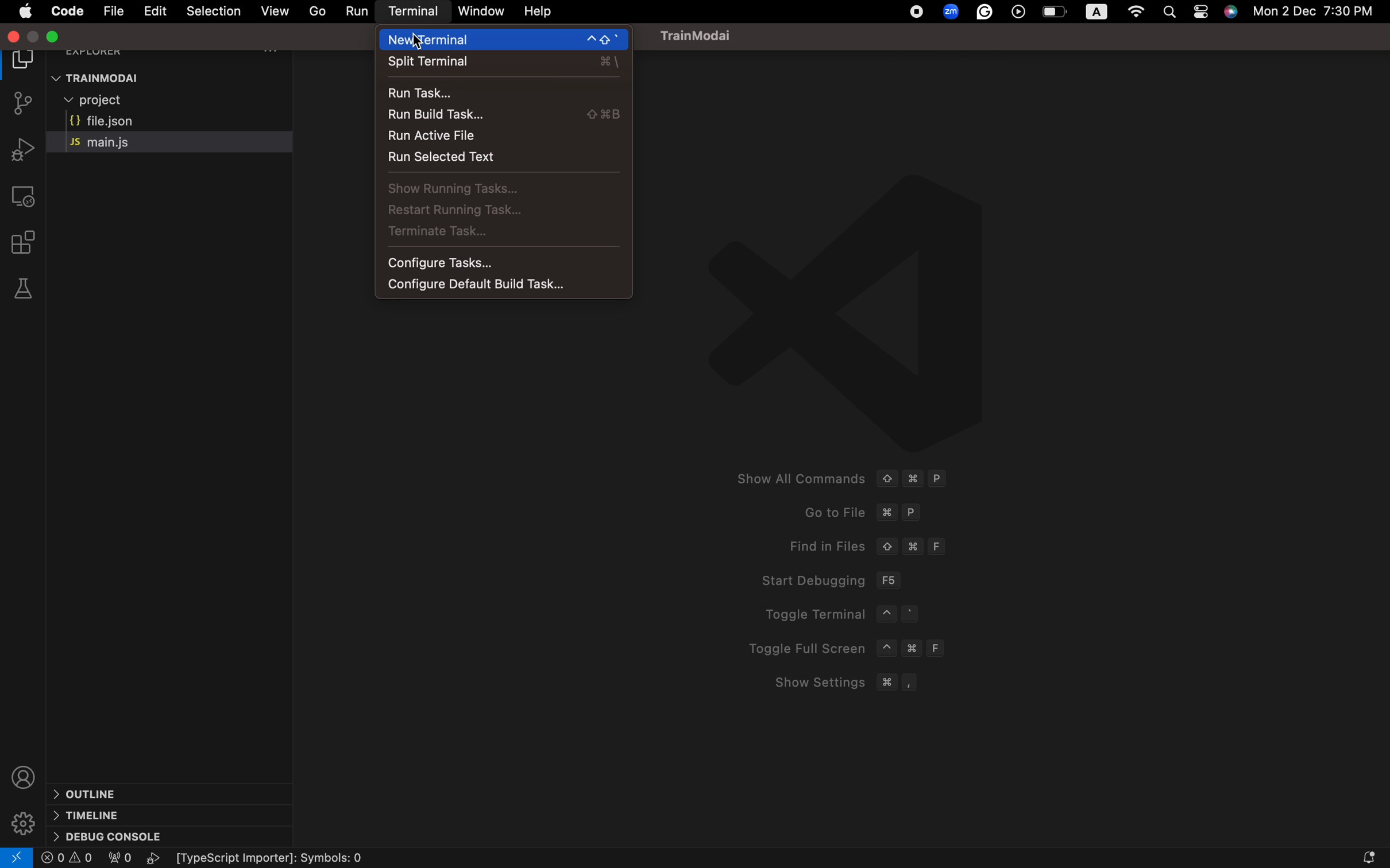 The height and width of the screenshot is (868, 1390). I want to click on cursor, so click(415, 40).